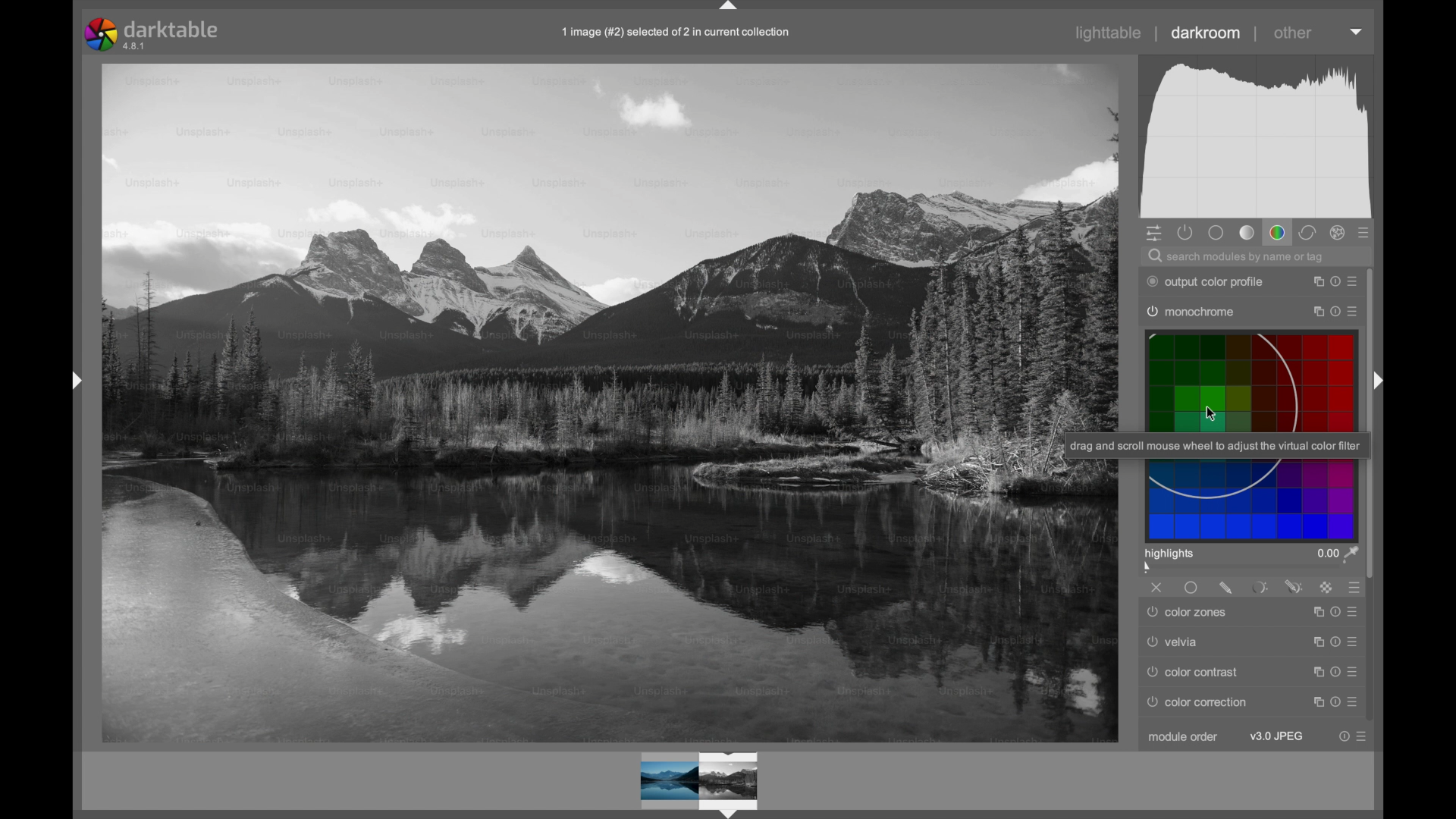 The width and height of the screenshot is (1456, 819). I want to click on instance, so click(1315, 281).